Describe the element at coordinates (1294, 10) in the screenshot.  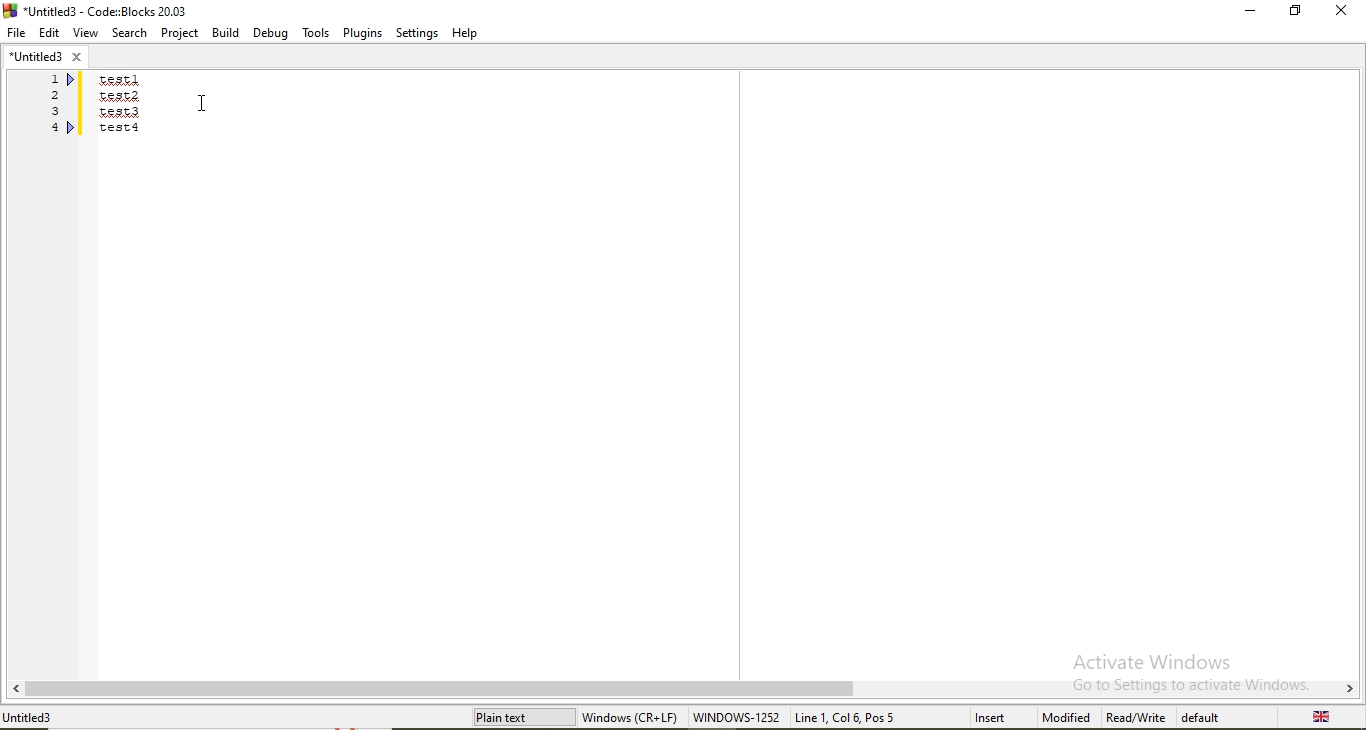
I see `Restore` at that location.